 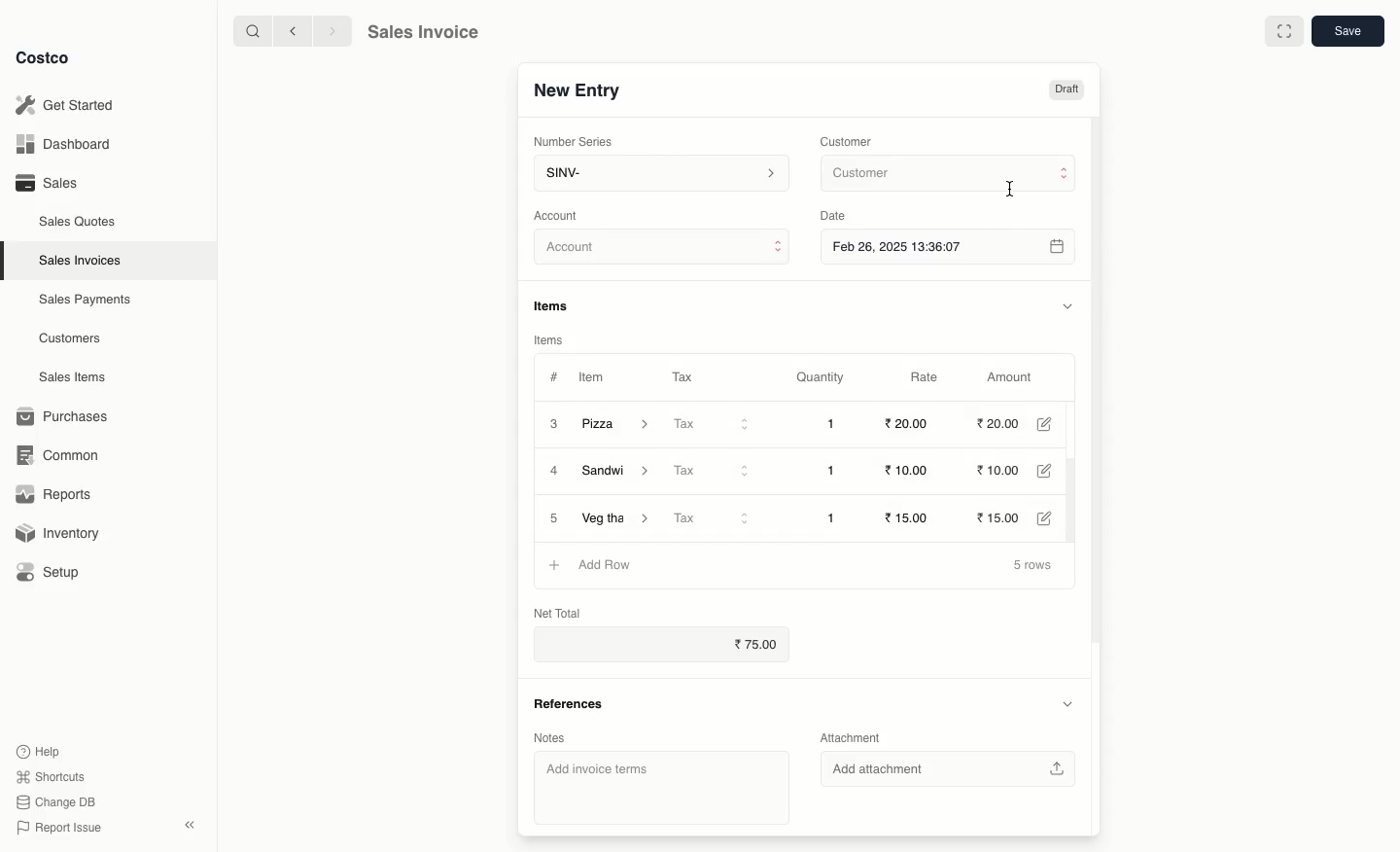 What do you see at coordinates (576, 89) in the screenshot?
I see `New Entry` at bounding box center [576, 89].